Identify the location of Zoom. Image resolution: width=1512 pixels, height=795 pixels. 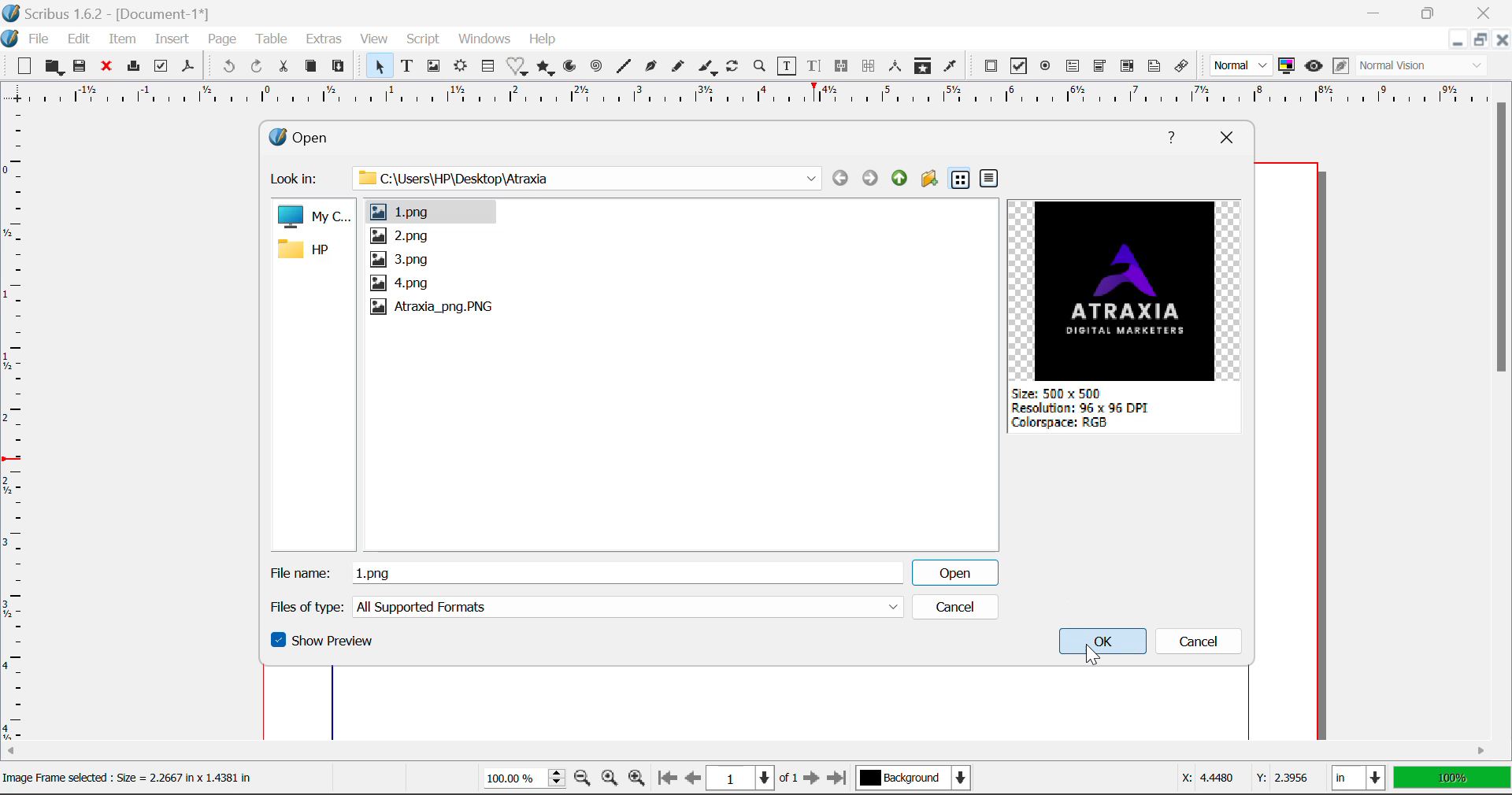
(762, 68).